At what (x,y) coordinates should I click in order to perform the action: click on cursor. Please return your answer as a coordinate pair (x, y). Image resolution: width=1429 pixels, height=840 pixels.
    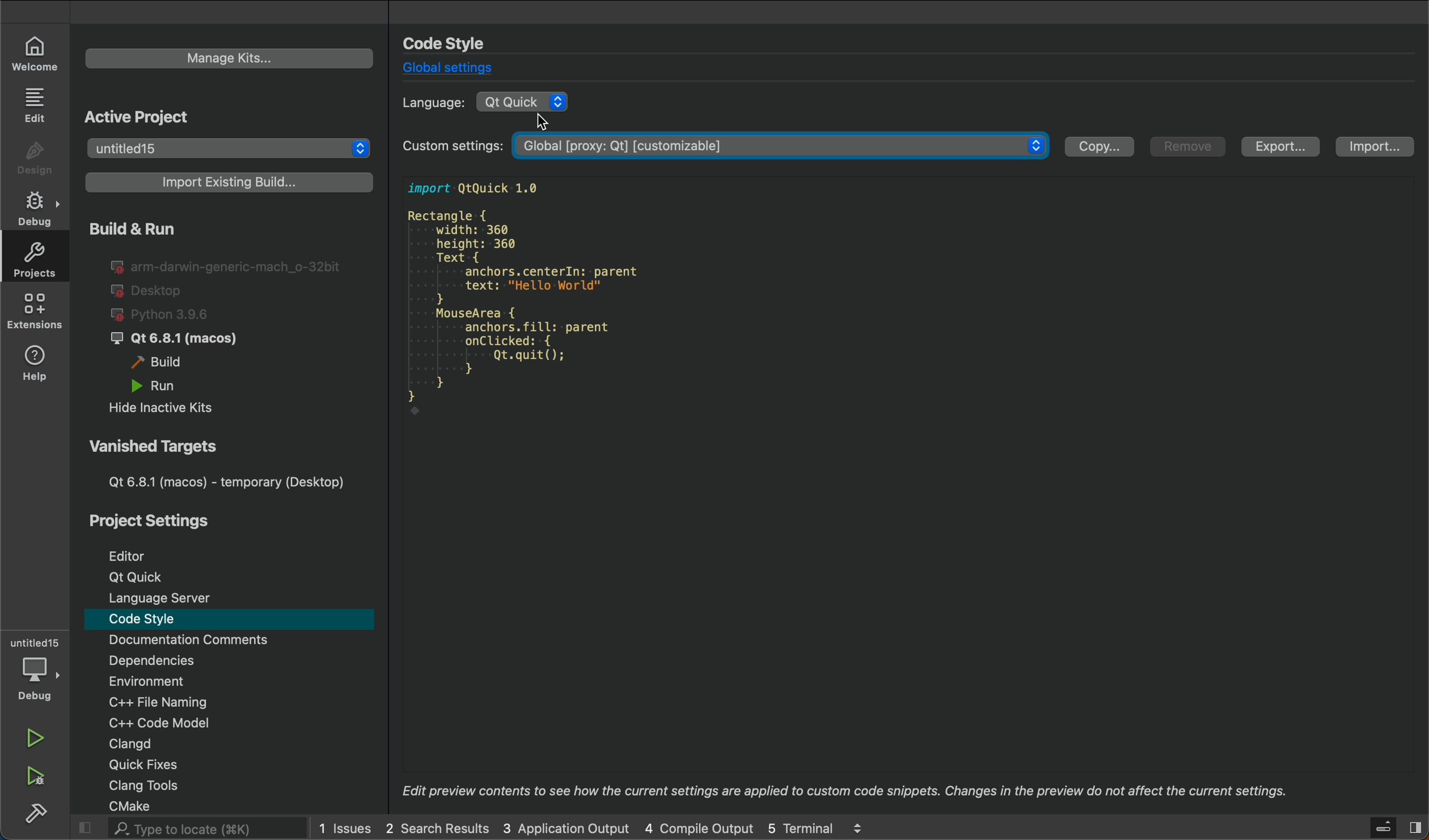
    Looking at the image, I should click on (541, 122).